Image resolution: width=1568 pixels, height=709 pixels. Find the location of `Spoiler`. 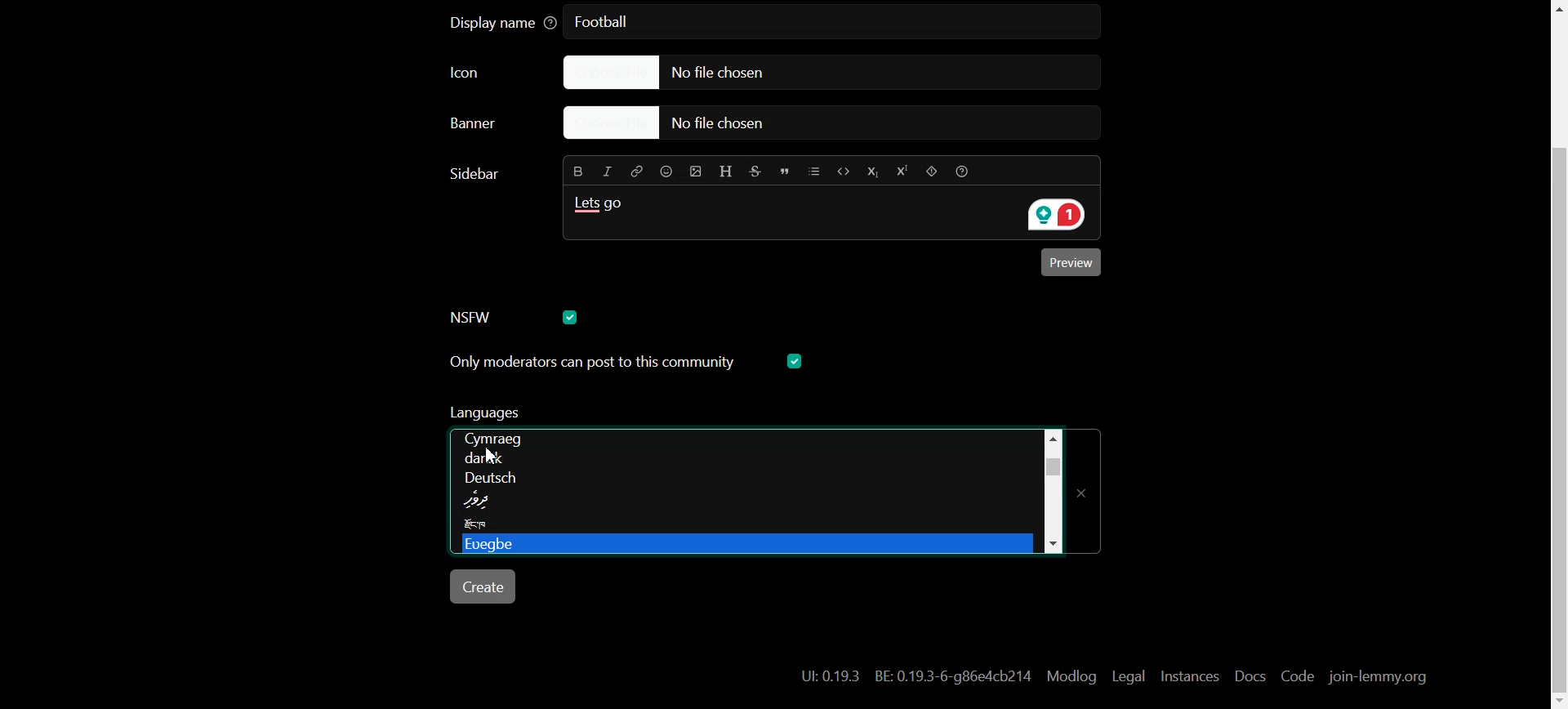

Spoiler is located at coordinates (930, 172).